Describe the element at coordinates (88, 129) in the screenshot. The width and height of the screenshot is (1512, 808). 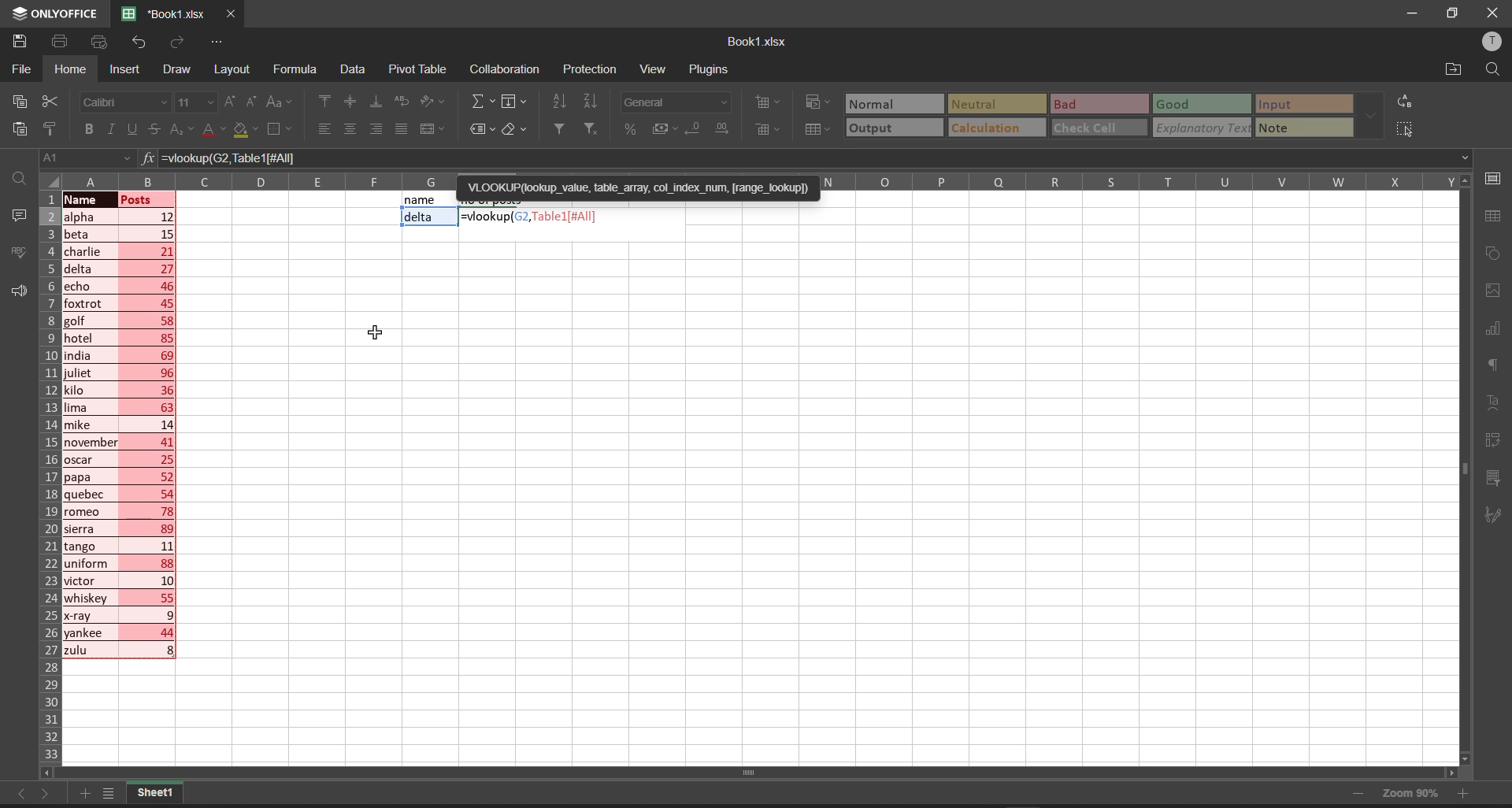
I see `bold` at that location.